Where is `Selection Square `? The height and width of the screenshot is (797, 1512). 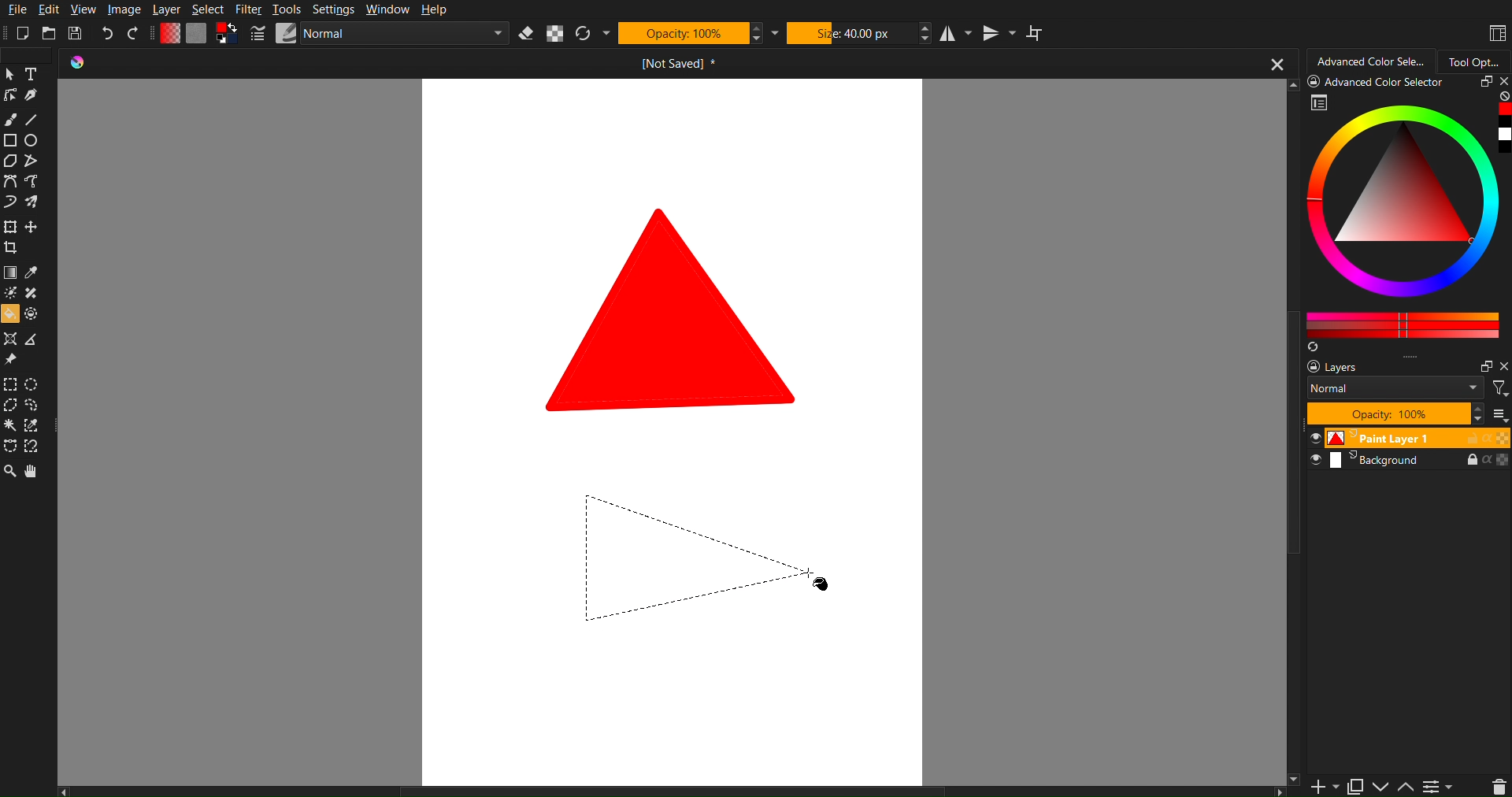
Selection Square  is located at coordinates (34, 383).